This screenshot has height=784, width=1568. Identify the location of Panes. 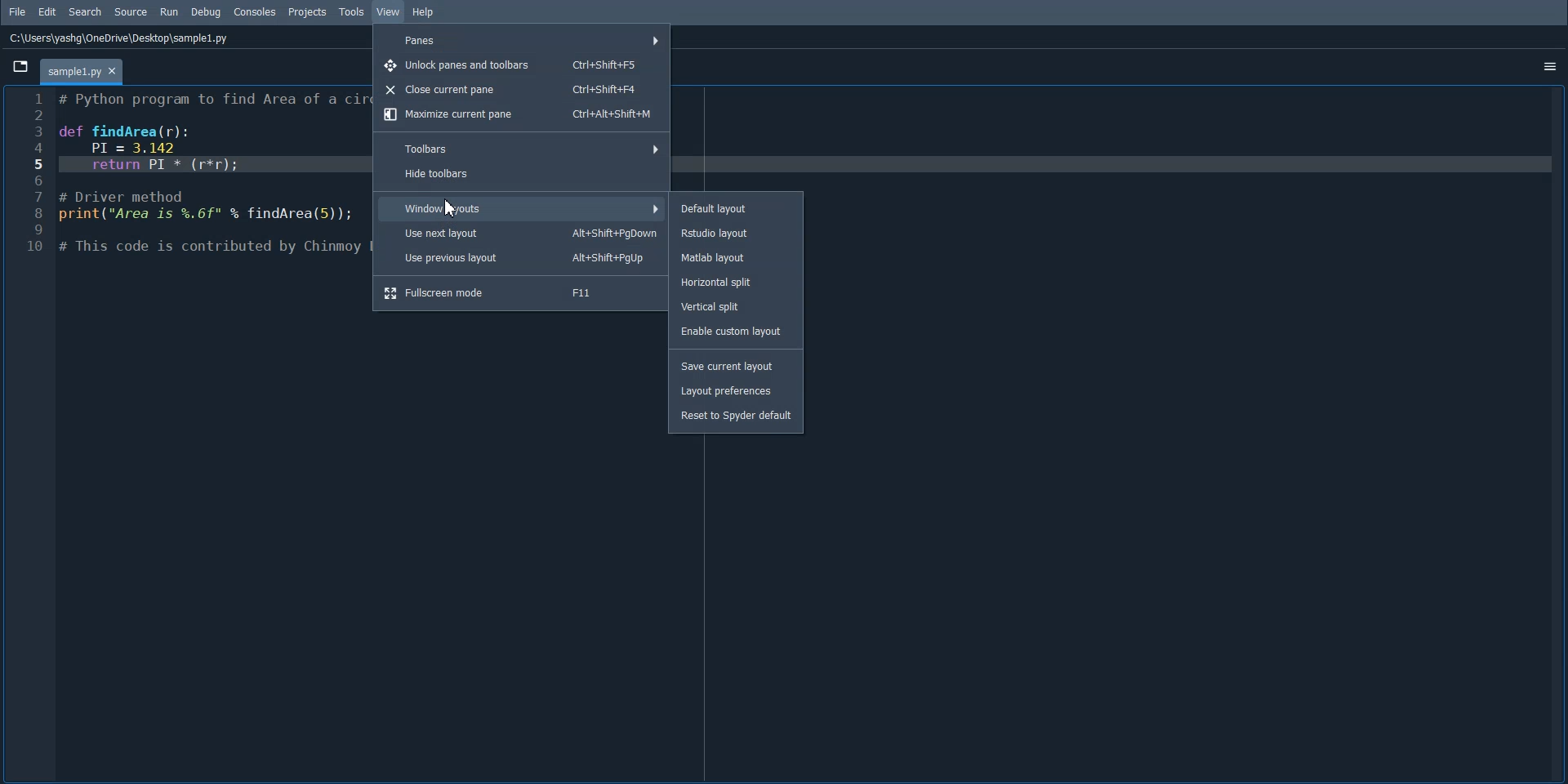
(522, 39).